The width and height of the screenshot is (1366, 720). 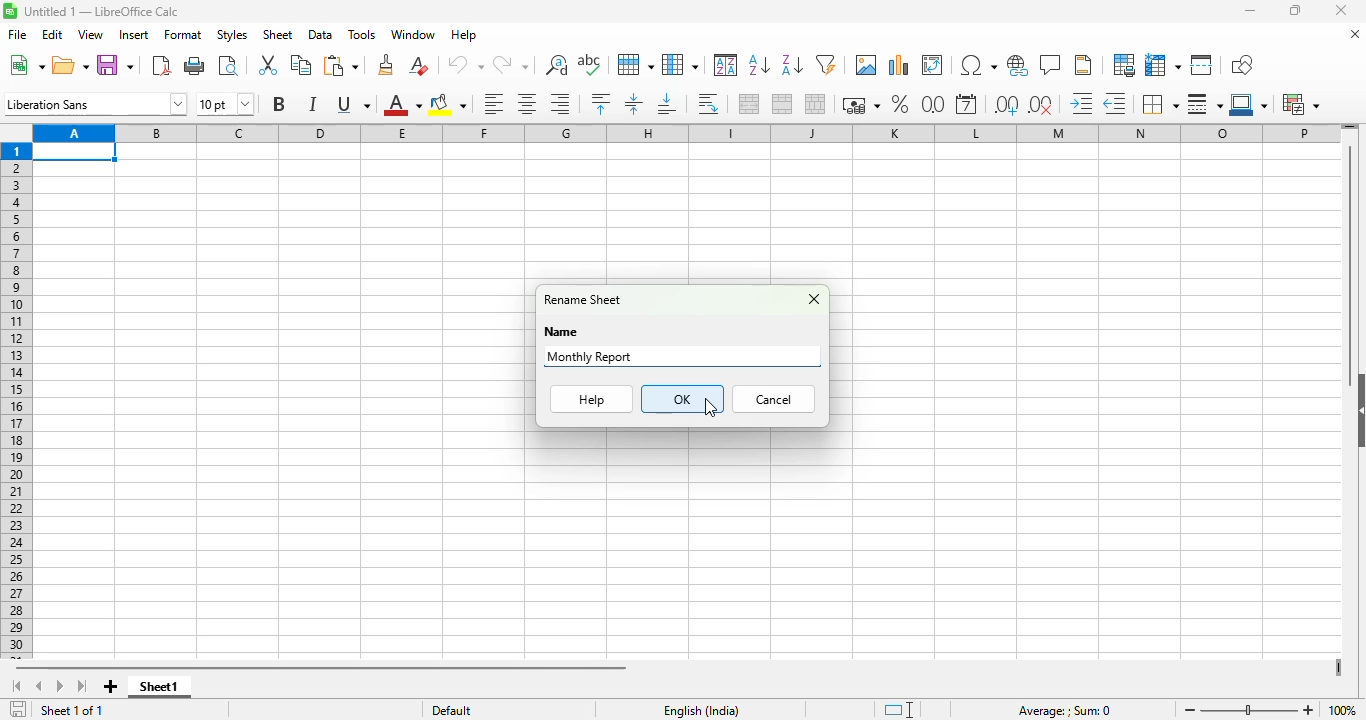 I want to click on English (India), so click(x=700, y=710).